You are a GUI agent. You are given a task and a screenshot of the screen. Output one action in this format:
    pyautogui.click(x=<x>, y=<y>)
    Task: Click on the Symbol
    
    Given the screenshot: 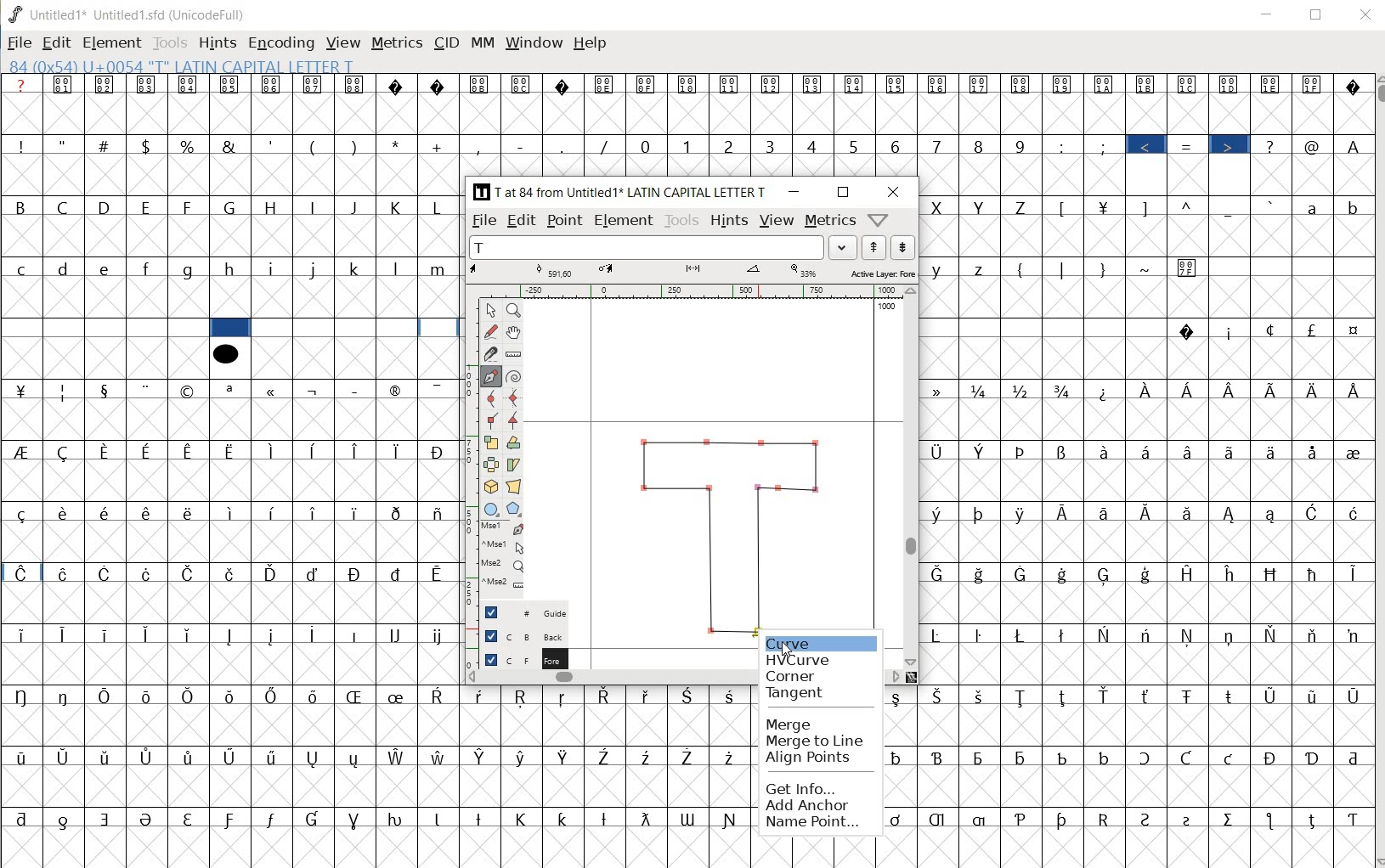 What is the action you would take?
    pyautogui.click(x=897, y=757)
    